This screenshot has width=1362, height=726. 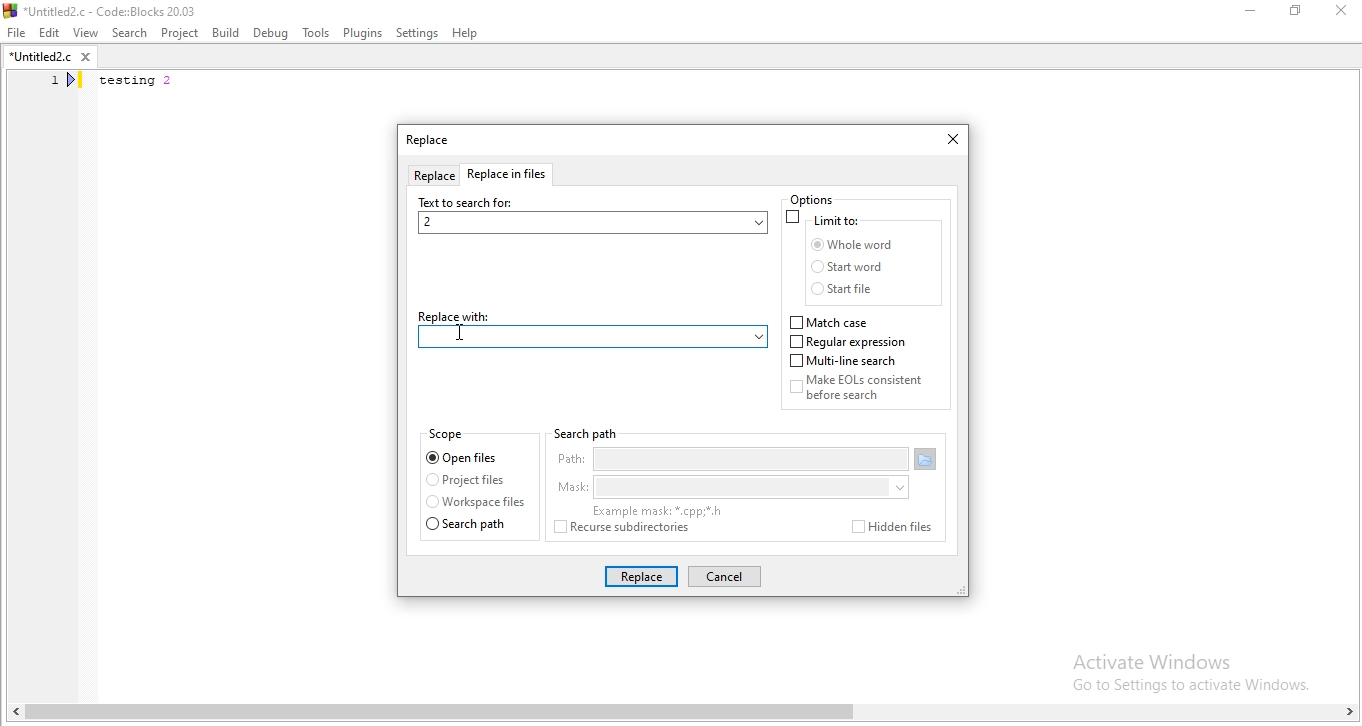 I want to click on close, so click(x=948, y=140).